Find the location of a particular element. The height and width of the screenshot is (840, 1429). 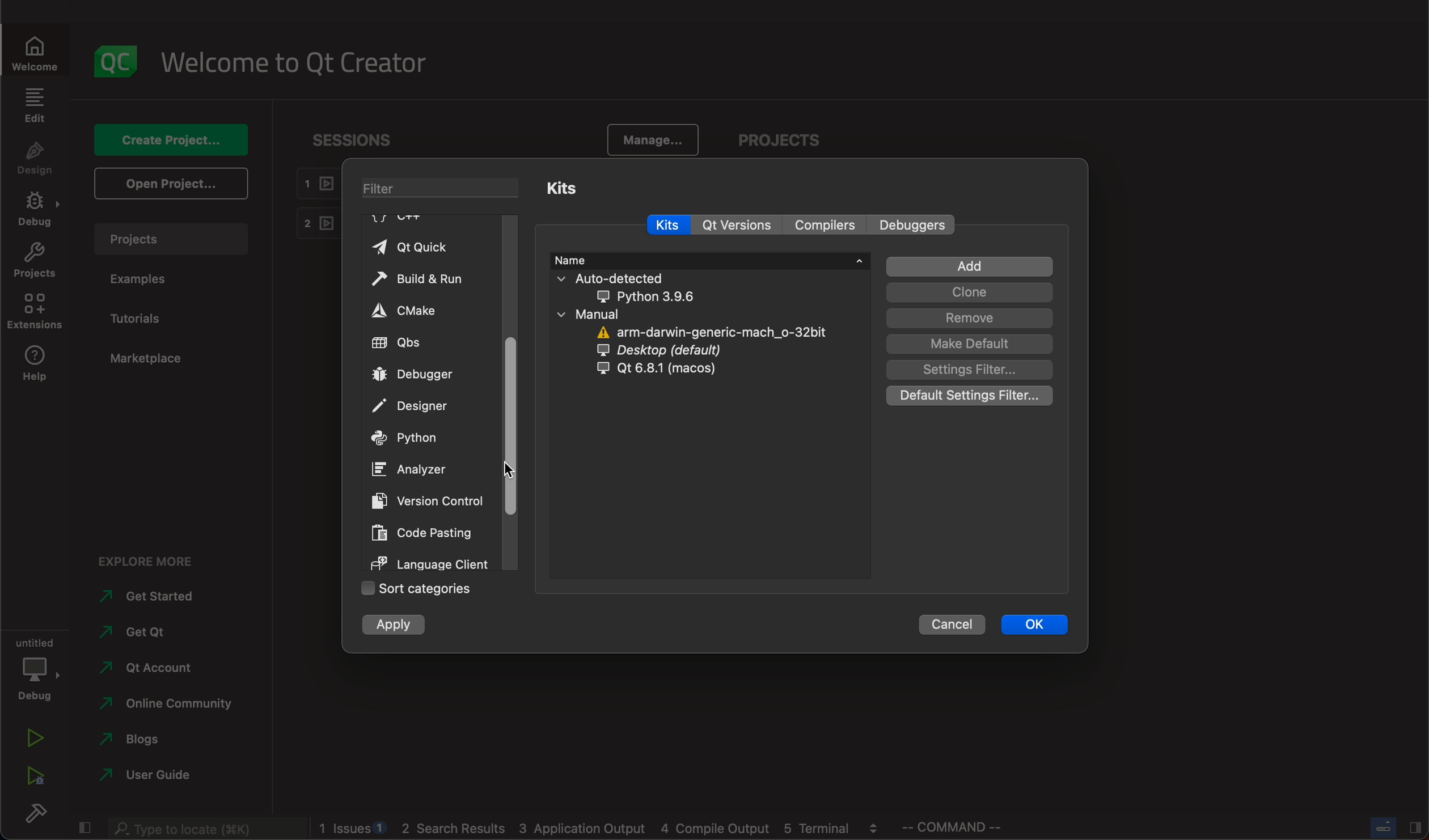

blogs is located at coordinates (141, 738).